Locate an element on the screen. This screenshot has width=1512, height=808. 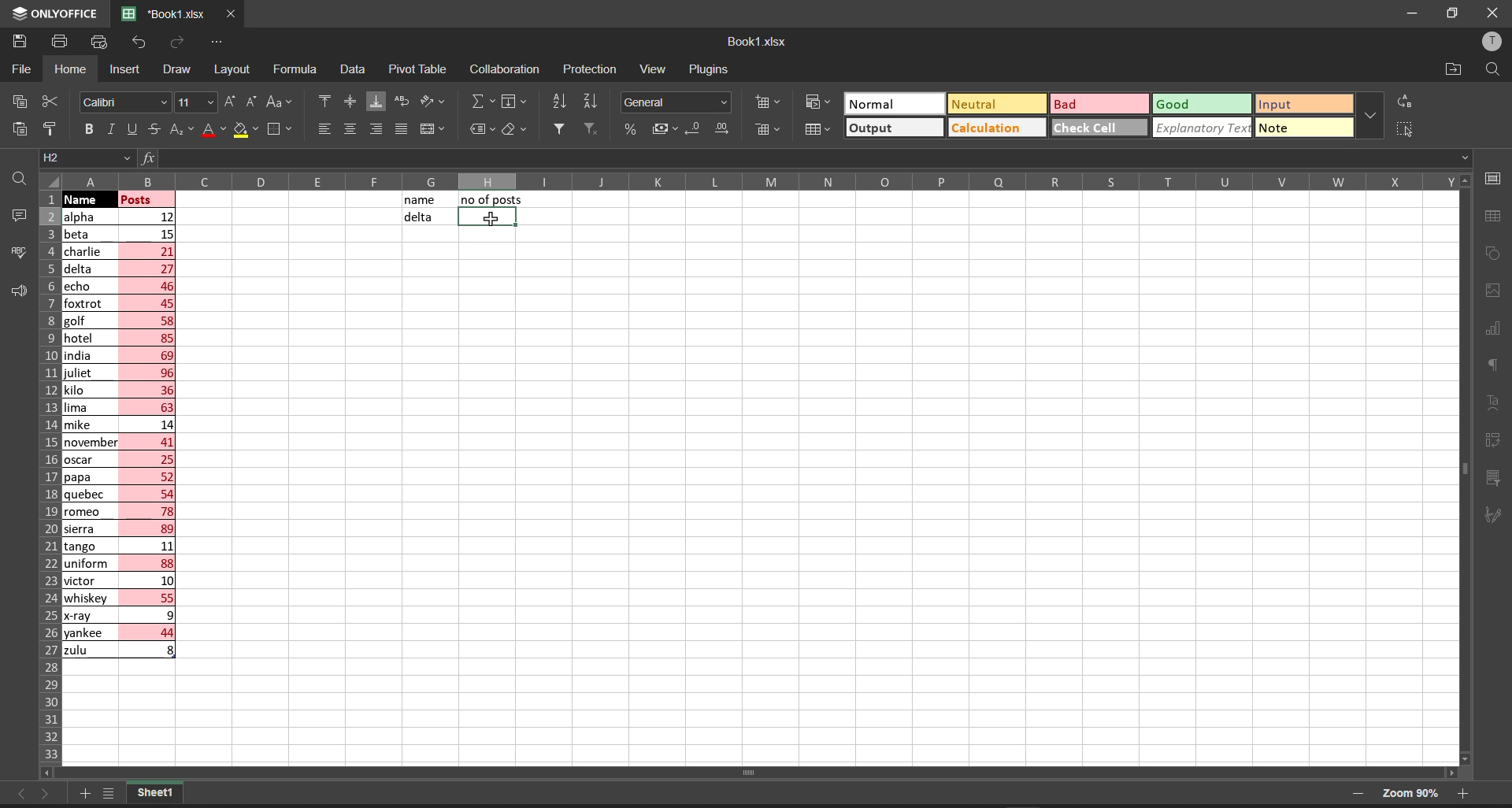
column names is located at coordinates (761, 180).